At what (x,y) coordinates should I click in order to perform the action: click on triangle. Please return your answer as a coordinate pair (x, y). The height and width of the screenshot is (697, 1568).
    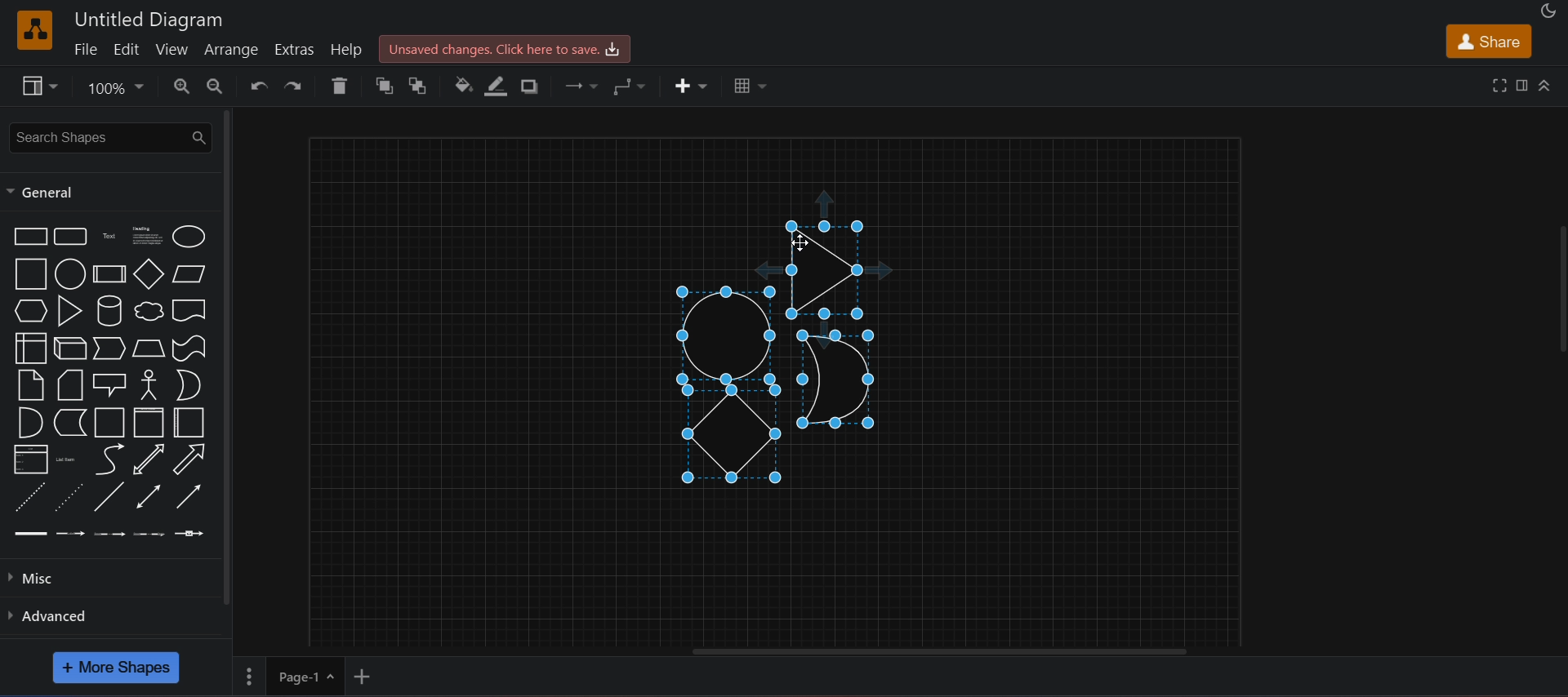
    Looking at the image, I should click on (69, 310).